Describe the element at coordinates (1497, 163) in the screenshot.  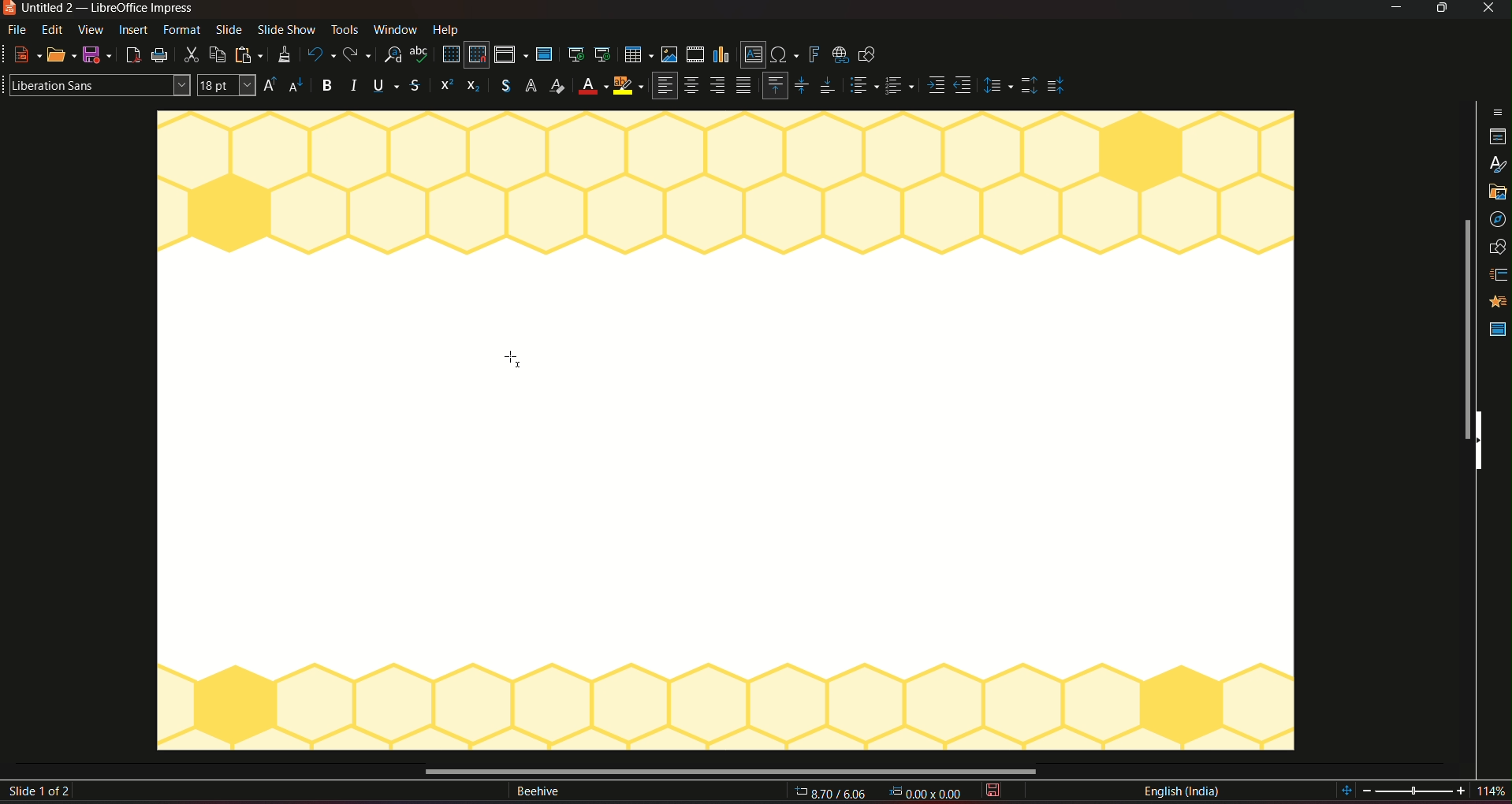
I see `gallery` at that location.